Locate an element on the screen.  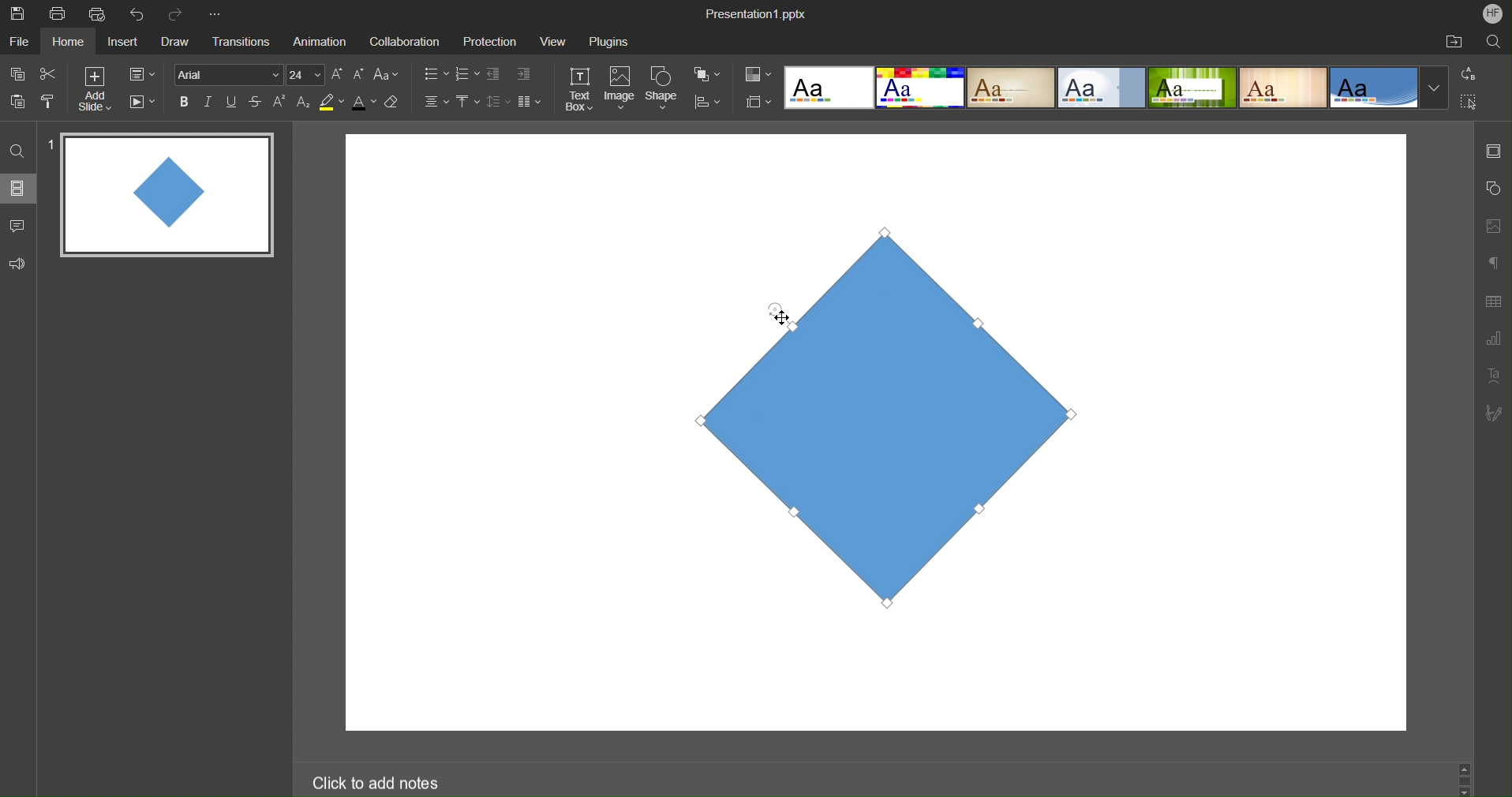
Paragraph Settings is located at coordinates (1491, 263).